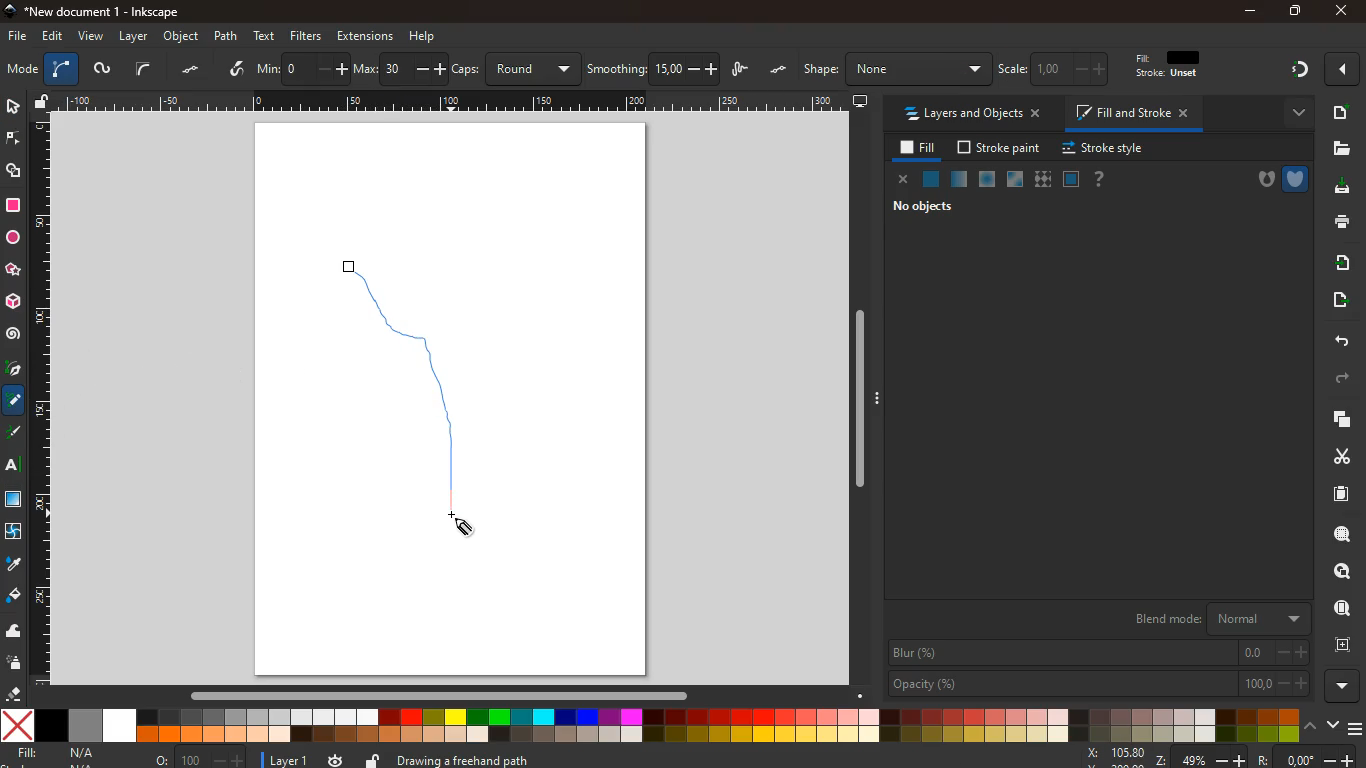 The image size is (1366, 768). I want to click on frame, so click(1340, 643).